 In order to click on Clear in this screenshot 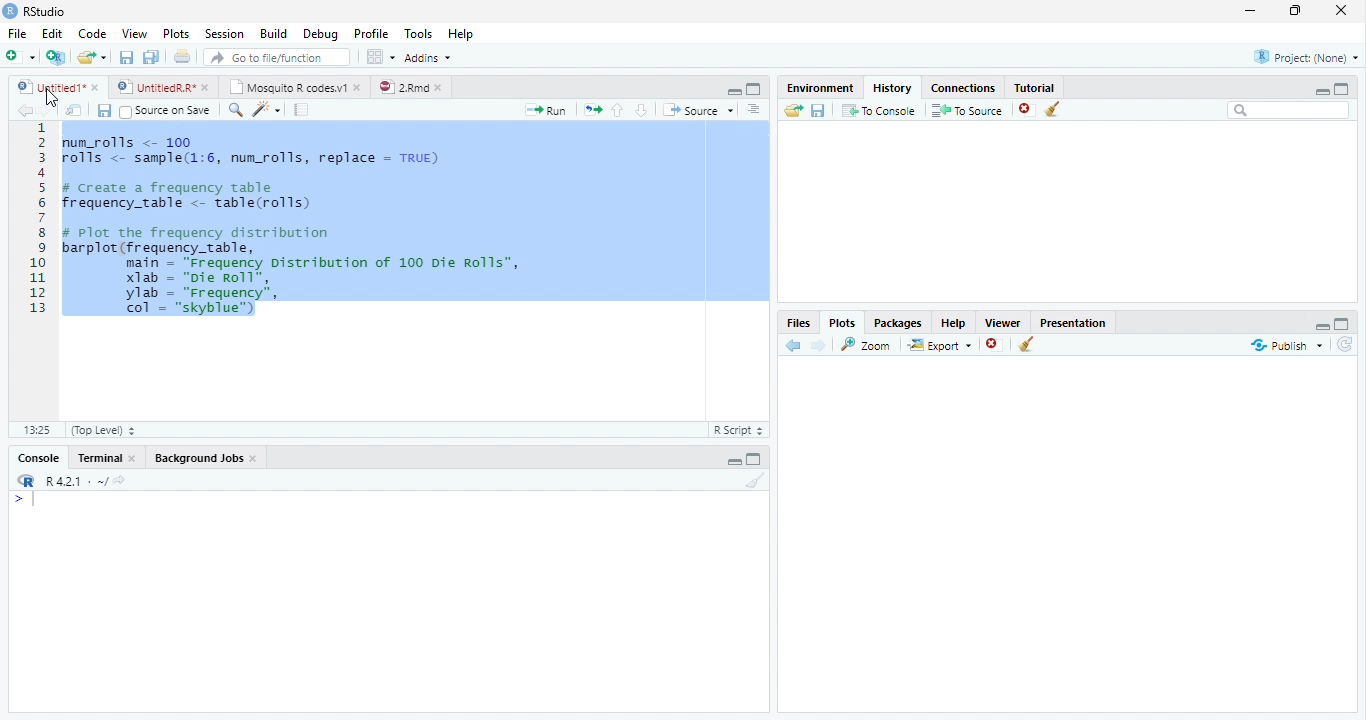, I will do `click(1053, 109)`.